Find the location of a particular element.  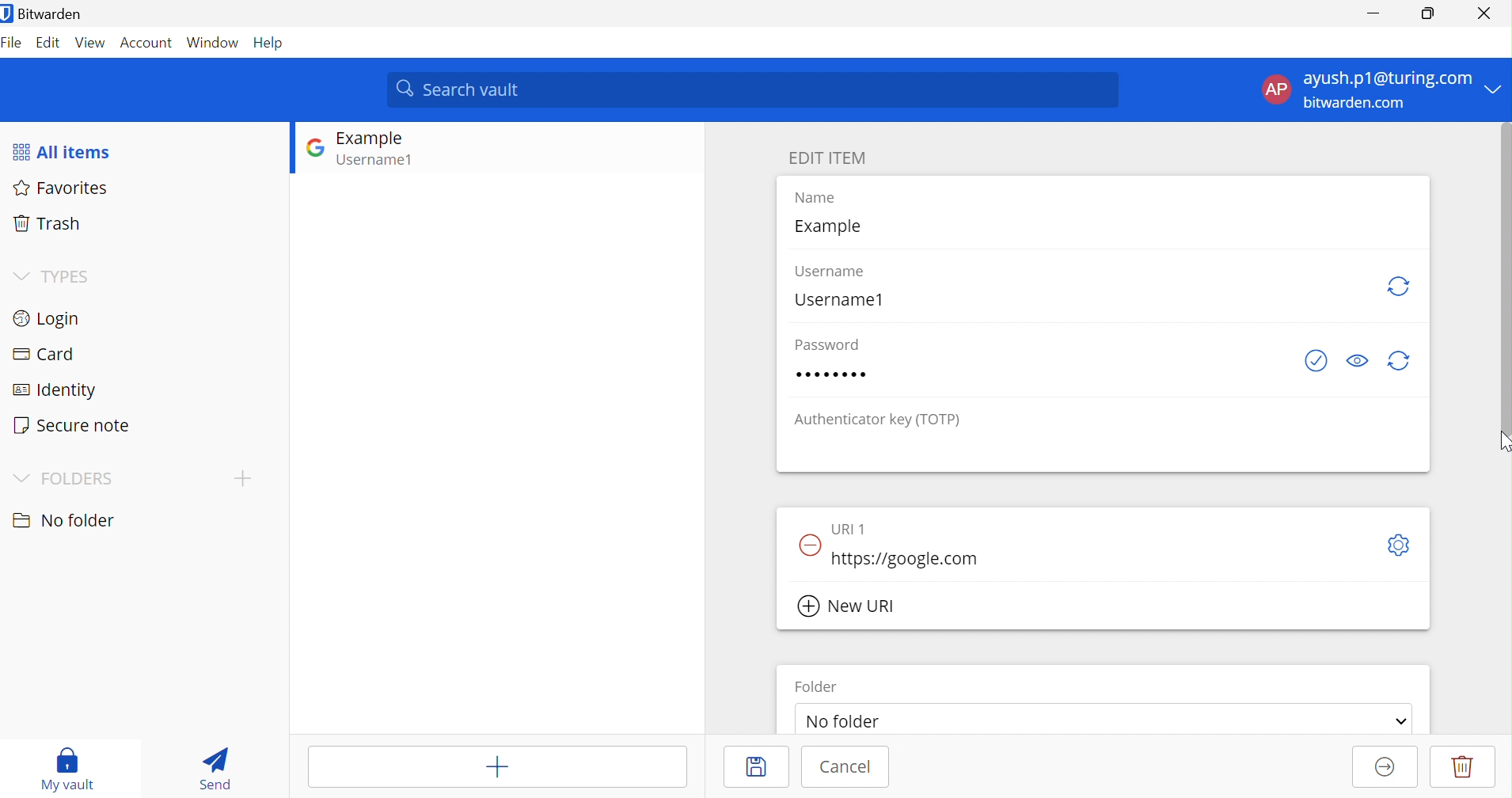

Toggle Visisbility is located at coordinates (1360, 361).